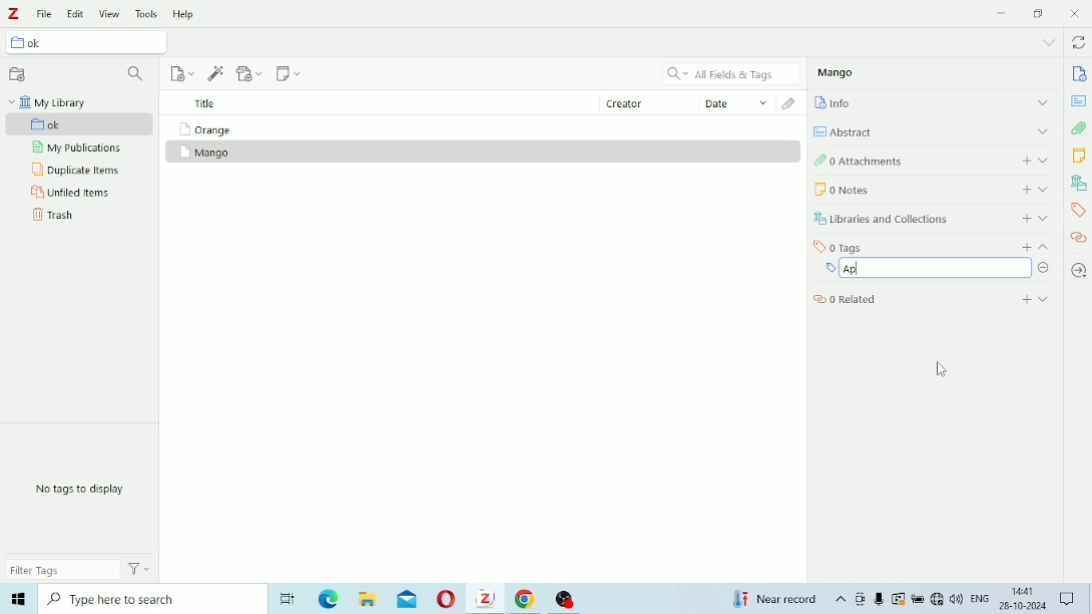  I want to click on 26-10-2024, so click(1026, 608).